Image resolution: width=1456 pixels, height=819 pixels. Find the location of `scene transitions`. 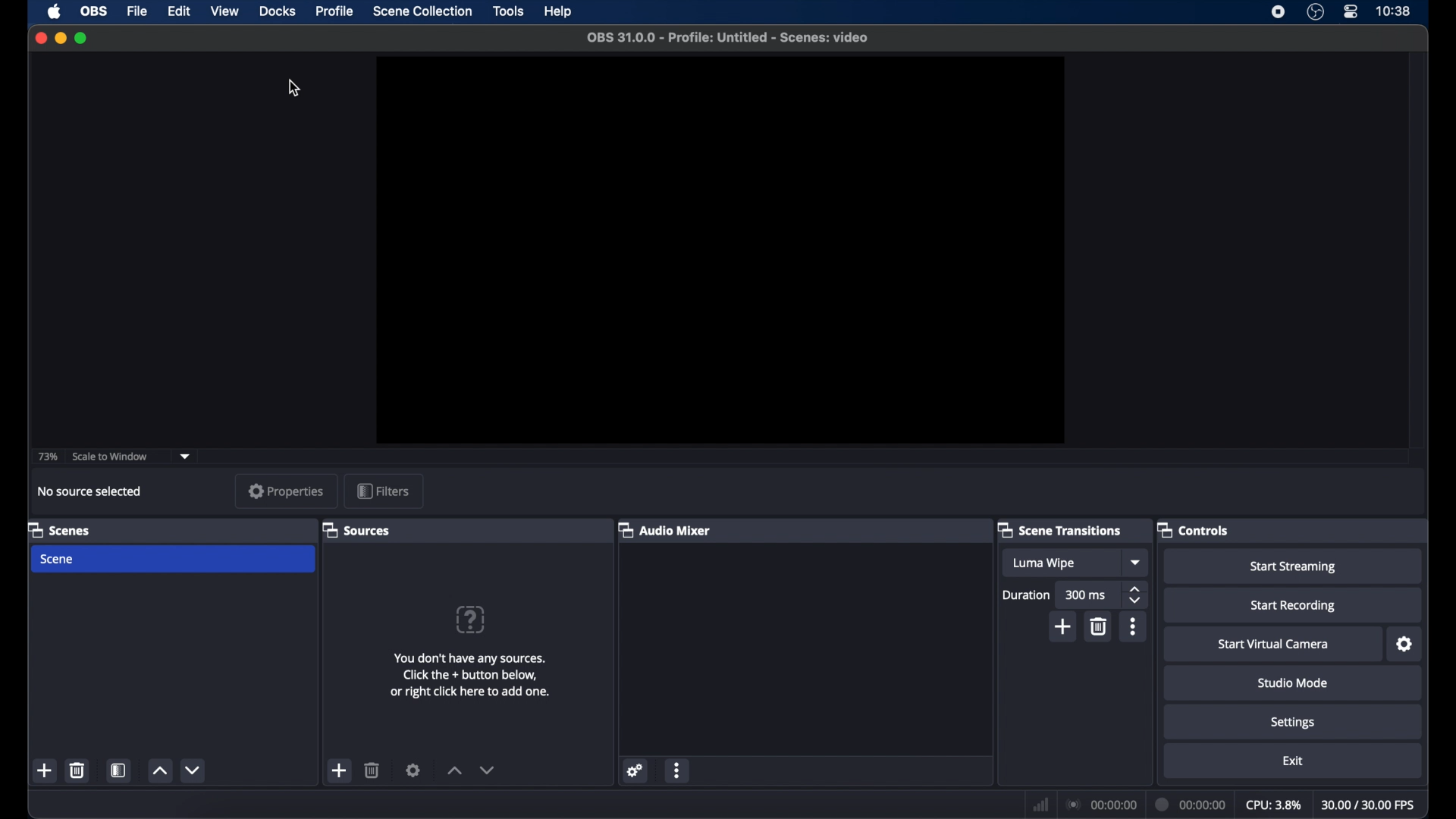

scene transitions is located at coordinates (1059, 531).